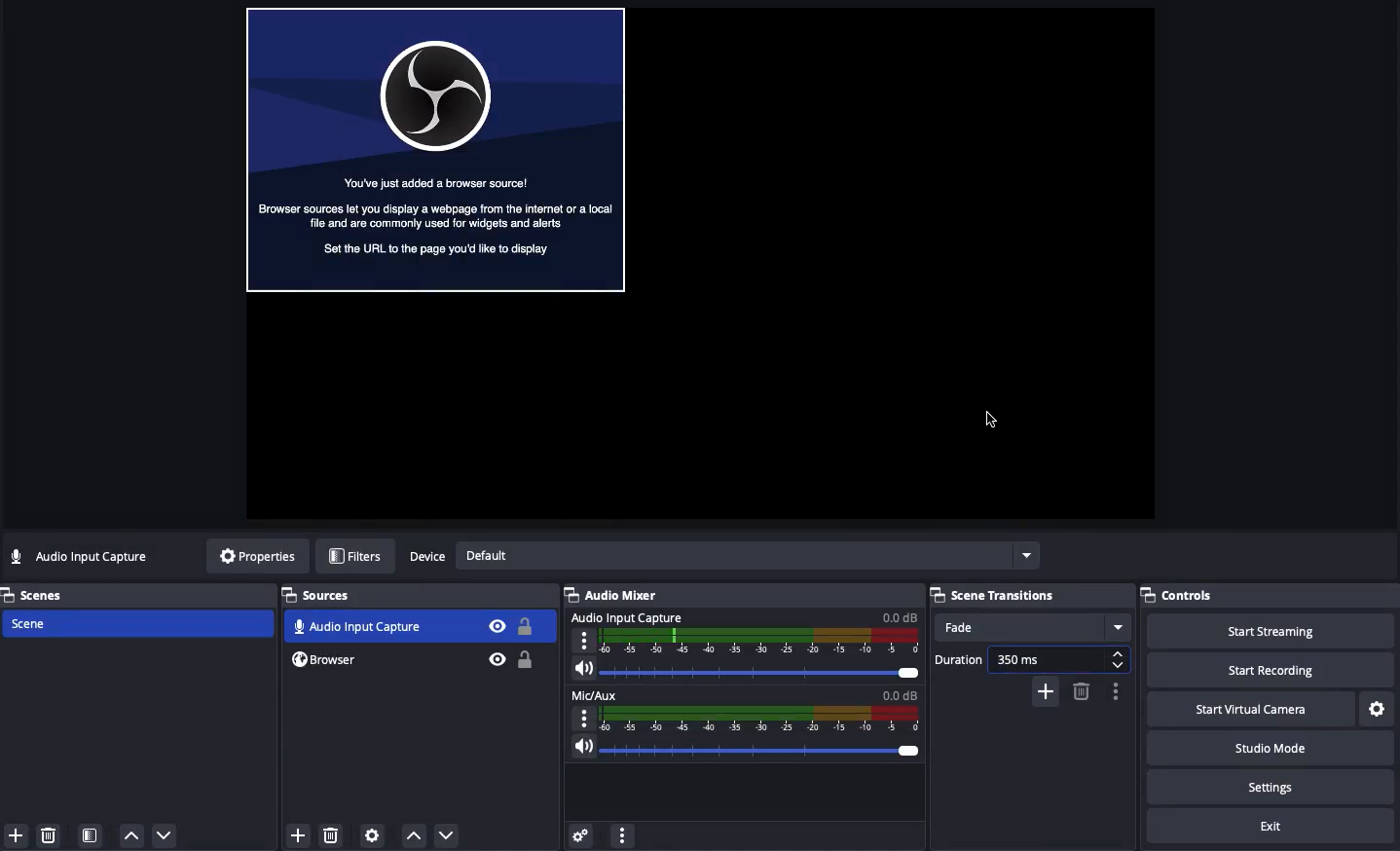  Describe the element at coordinates (166, 834) in the screenshot. I see `Down` at that location.